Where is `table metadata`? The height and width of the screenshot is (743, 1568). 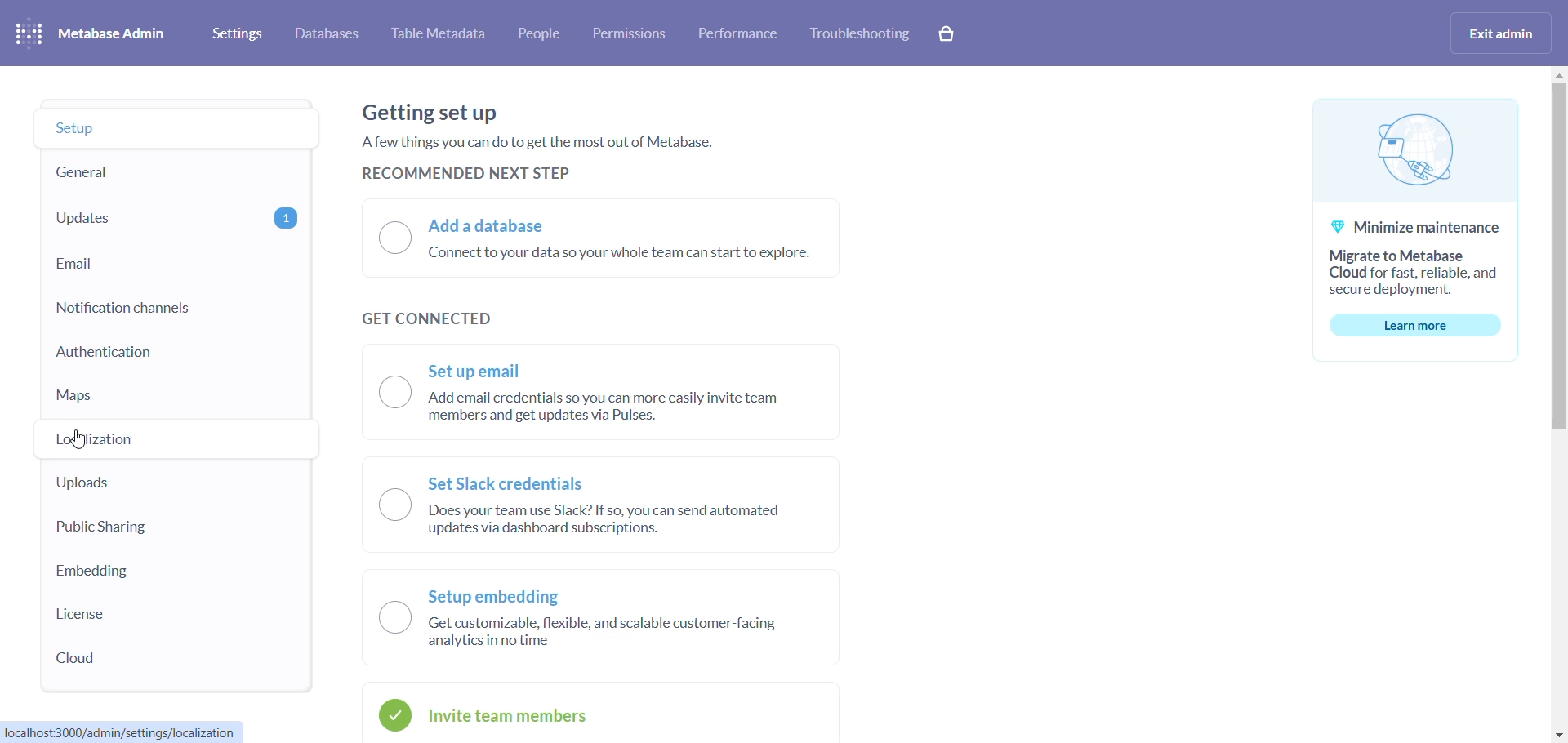 table metadata is located at coordinates (439, 33).